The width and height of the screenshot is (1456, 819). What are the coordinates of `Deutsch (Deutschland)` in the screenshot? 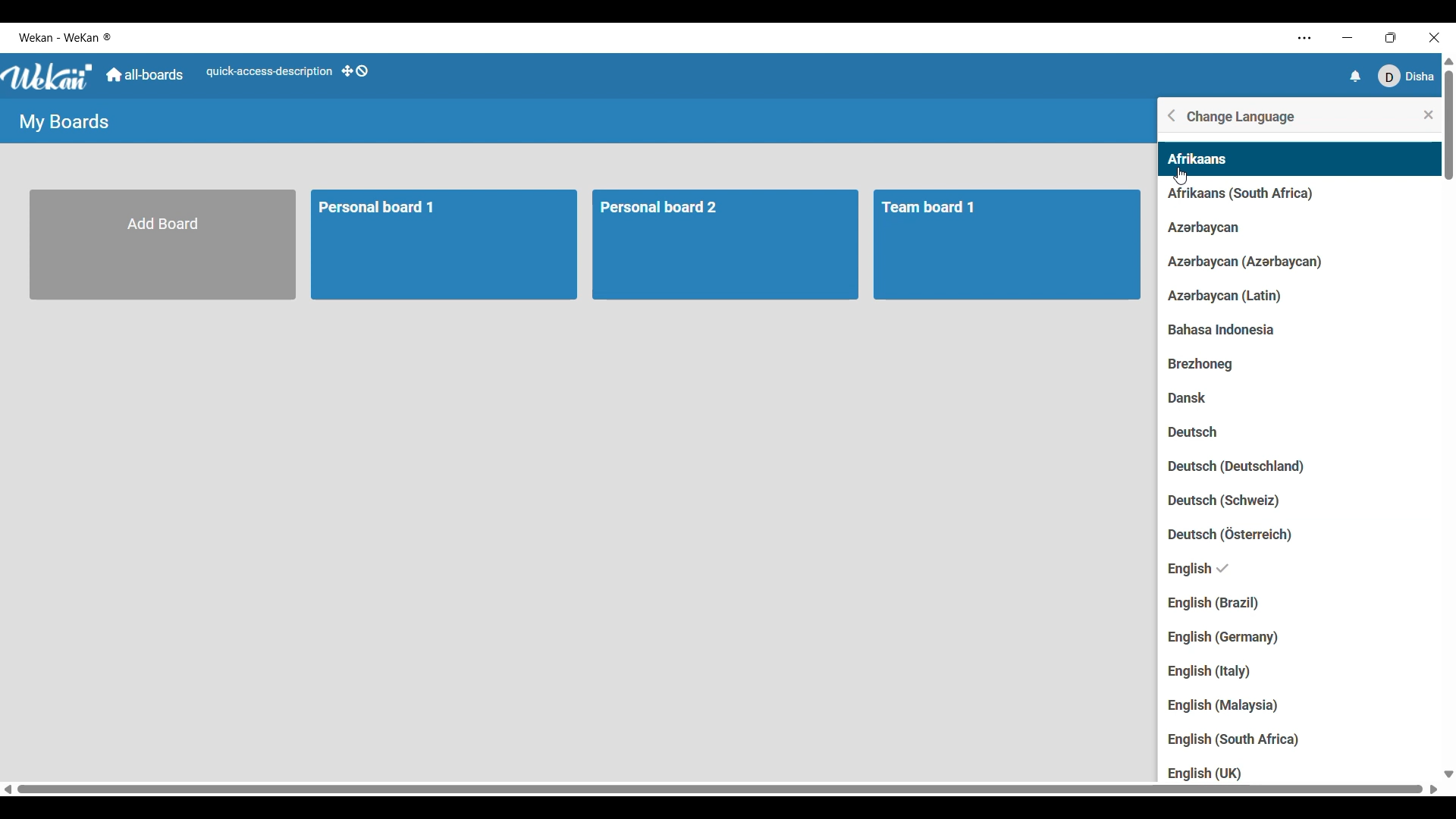 It's located at (1238, 468).